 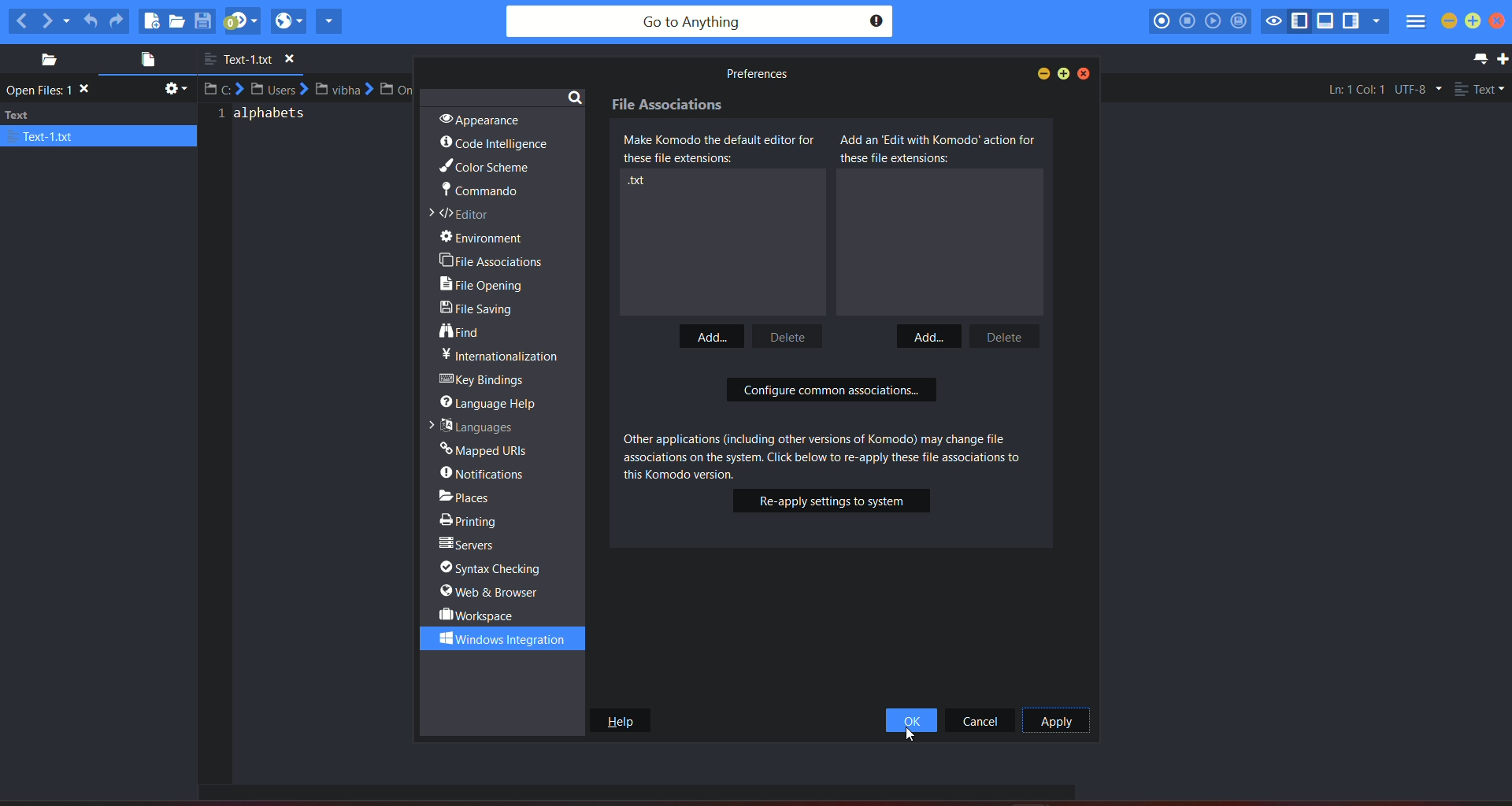 I want to click on instructions to reapply these file associations, so click(x=822, y=453).